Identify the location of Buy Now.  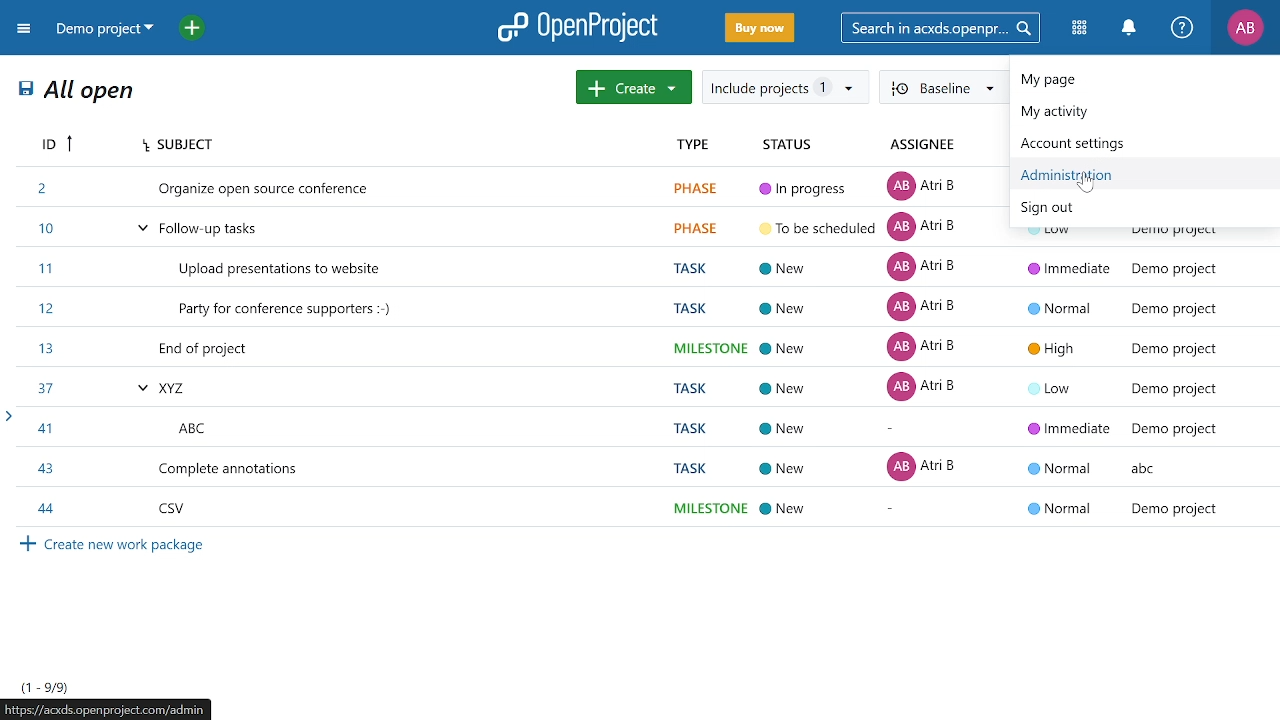
(760, 29).